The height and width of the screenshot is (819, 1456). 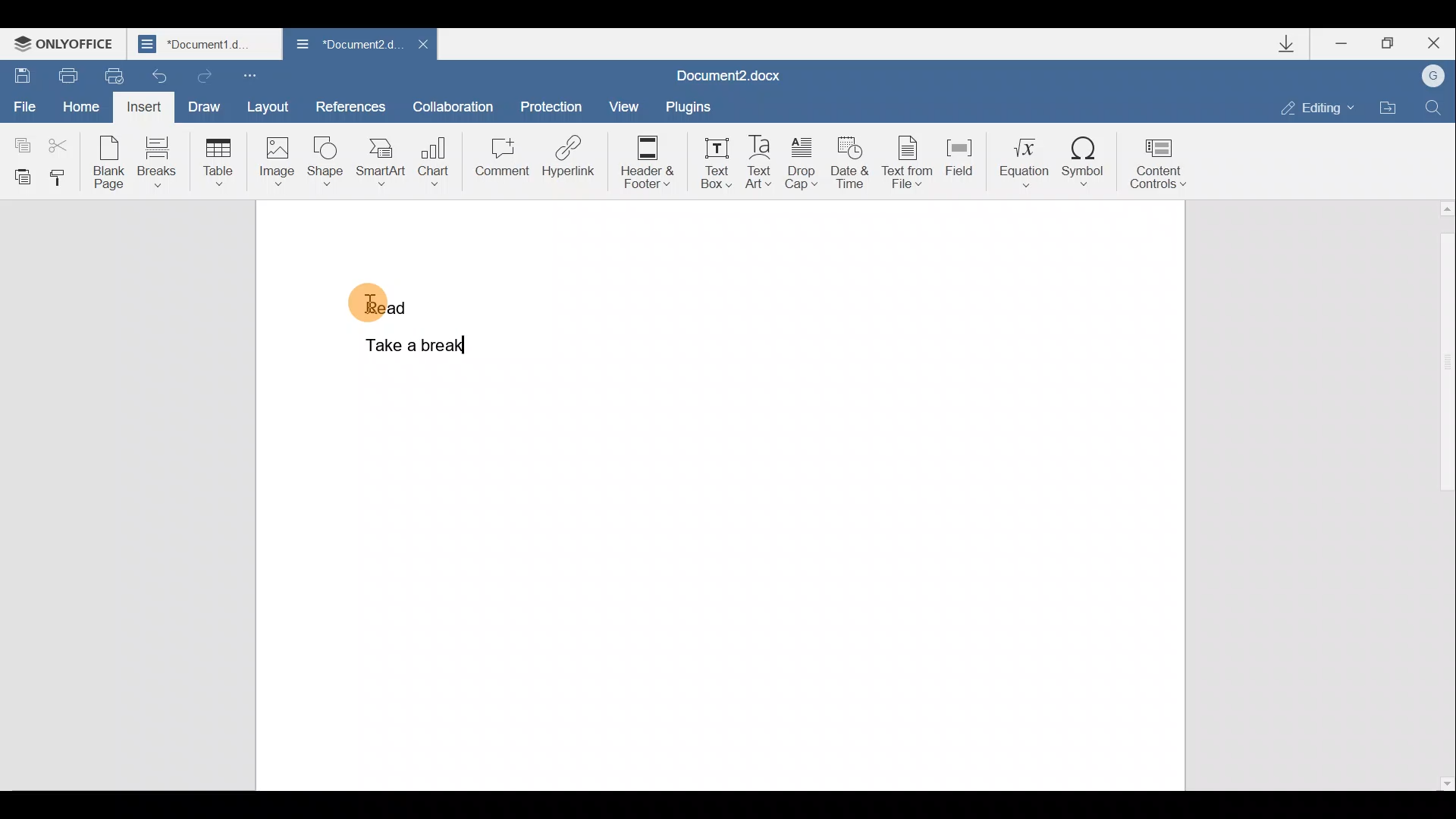 I want to click on Breaks, so click(x=158, y=161).